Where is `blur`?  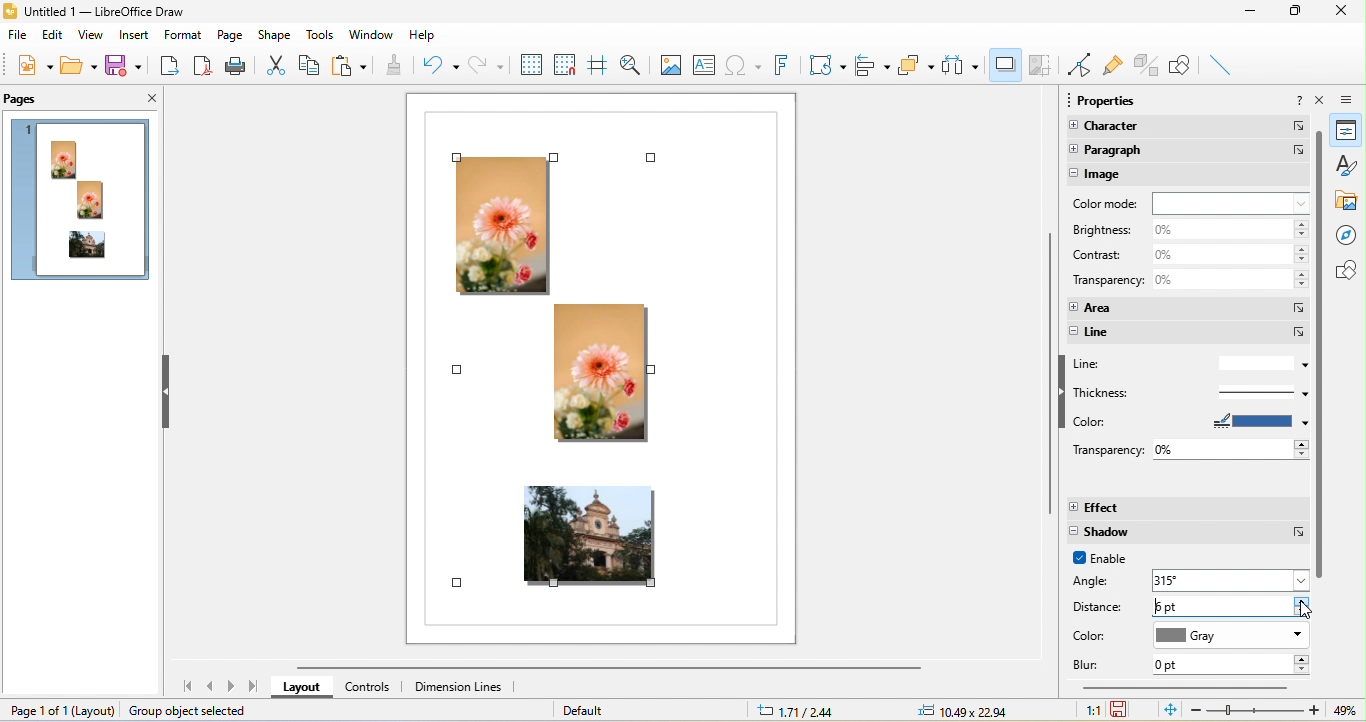
blur is located at coordinates (1093, 665).